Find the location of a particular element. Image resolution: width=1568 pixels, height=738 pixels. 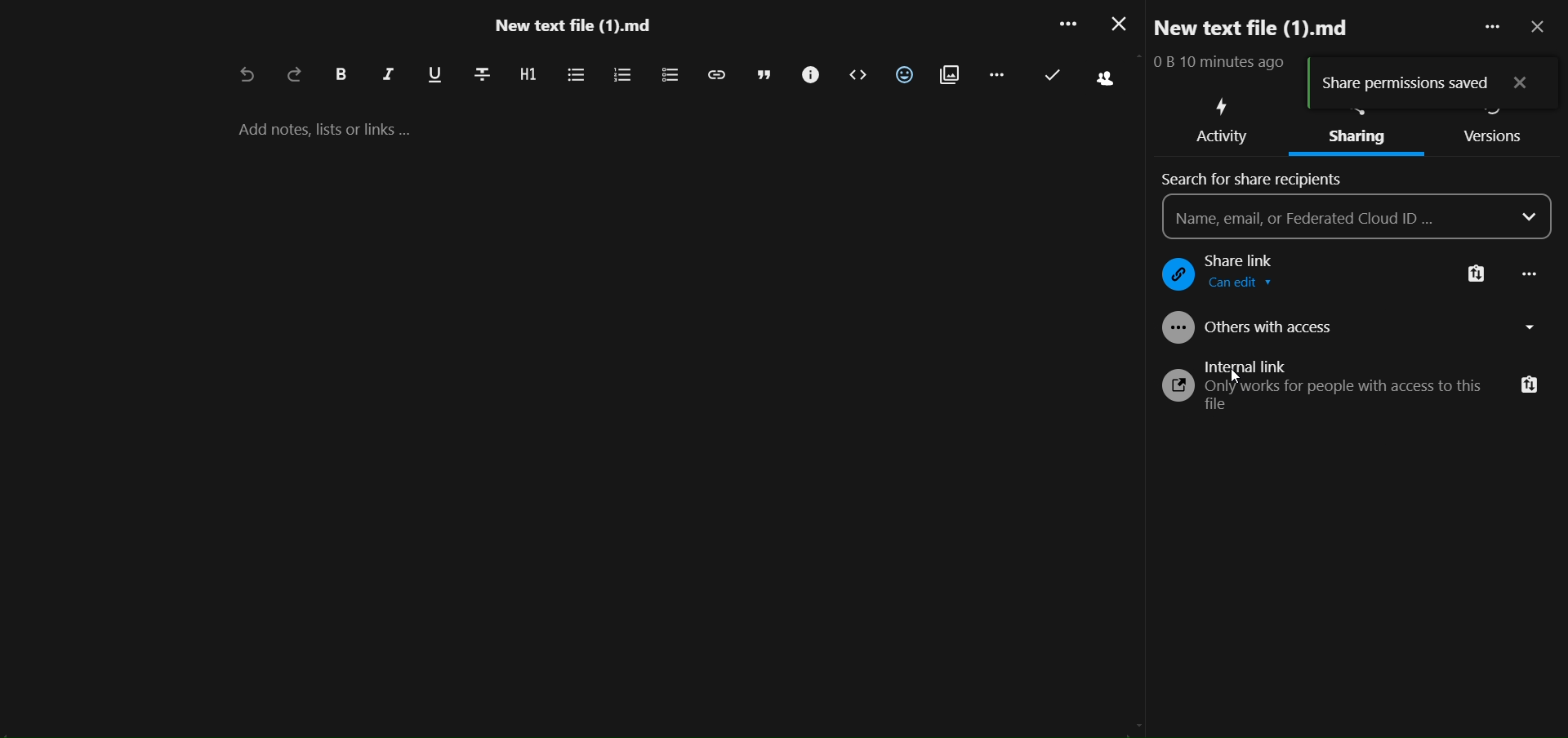

close is located at coordinates (1115, 24).